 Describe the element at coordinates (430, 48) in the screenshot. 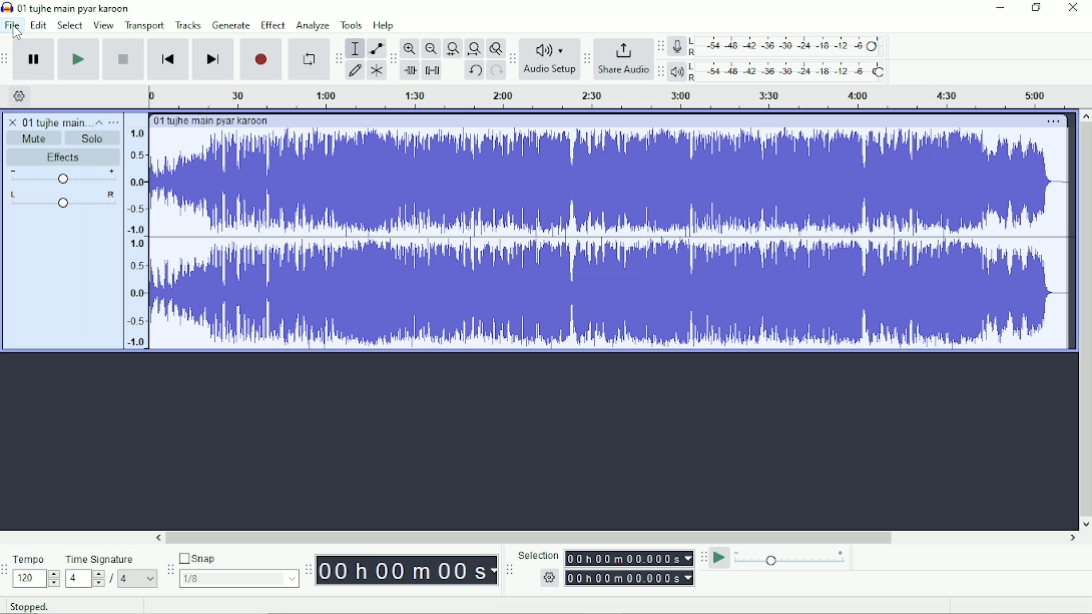

I see `Zoom Out` at that location.